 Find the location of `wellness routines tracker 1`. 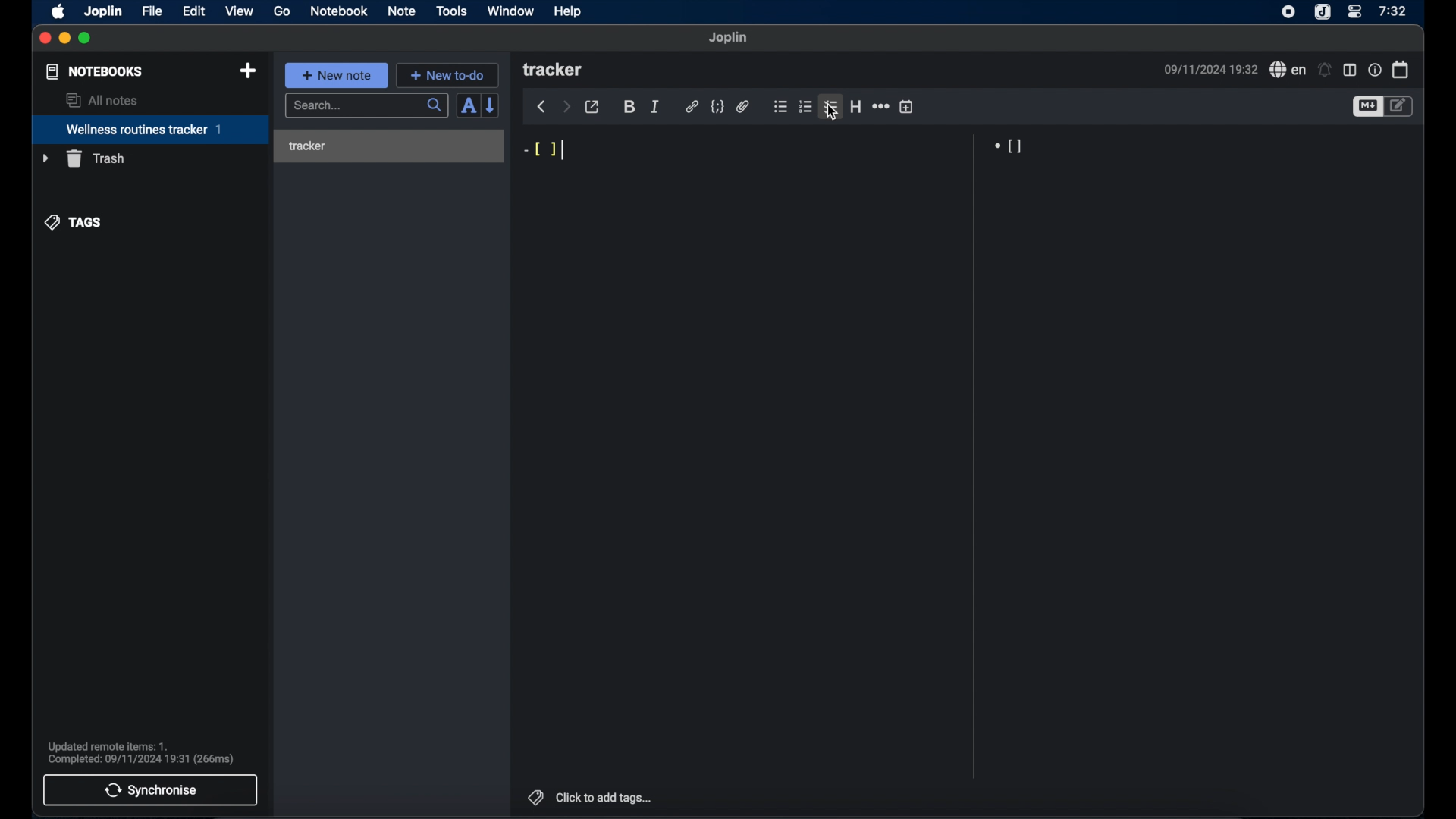

wellness routines tracker 1 is located at coordinates (149, 130).